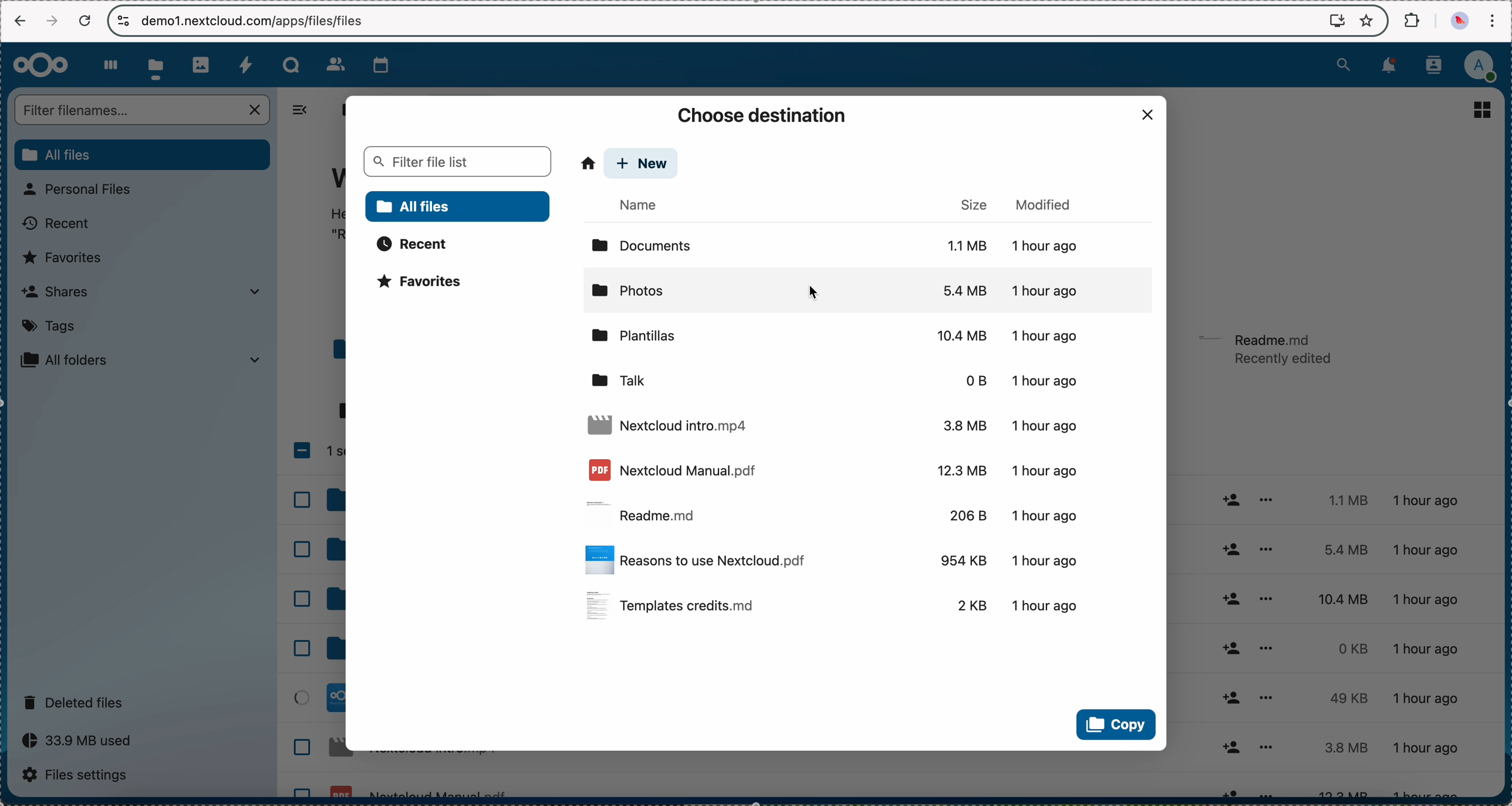 Image resolution: width=1512 pixels, height=806 pixels. What do you see at coordinates (202, 63) in the screenshot?
I see `photos` at bounding box center [202, 63].